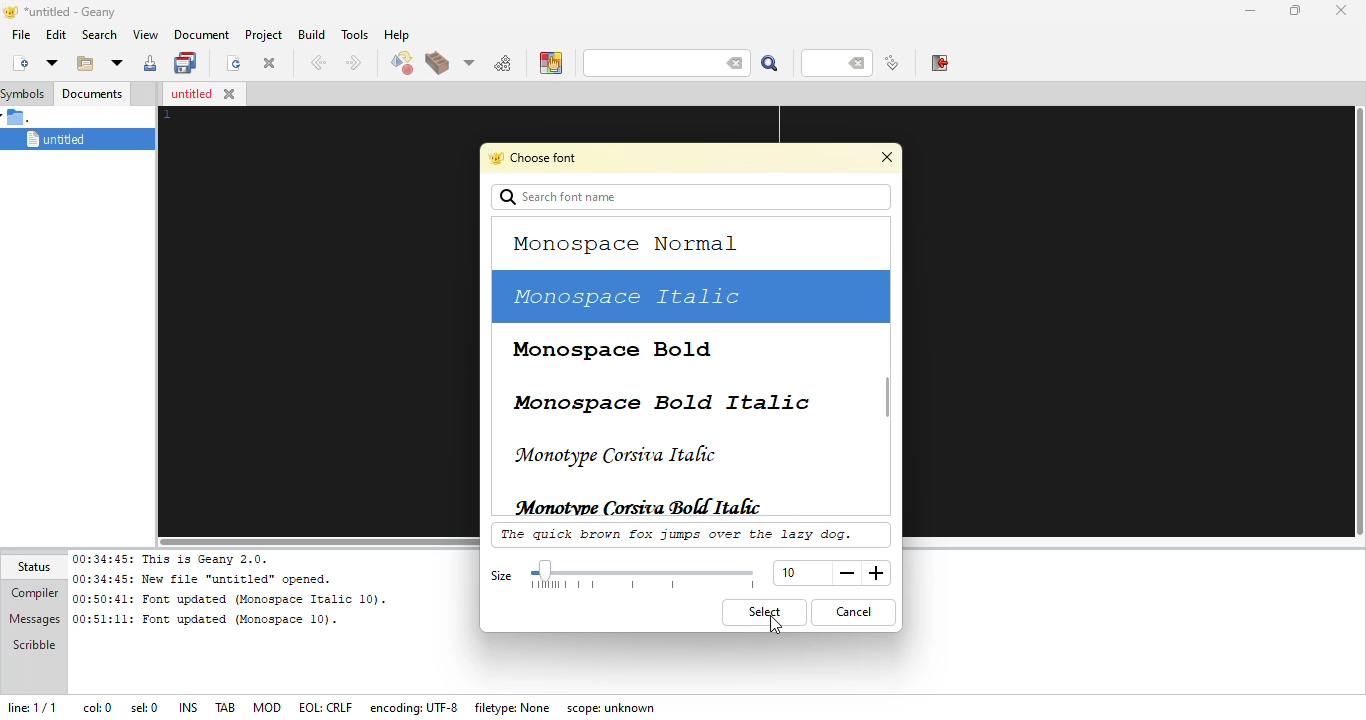 Image resolution: width=1366 pixels, height=720 pixels. I want to click on mod, so click(267, 706).